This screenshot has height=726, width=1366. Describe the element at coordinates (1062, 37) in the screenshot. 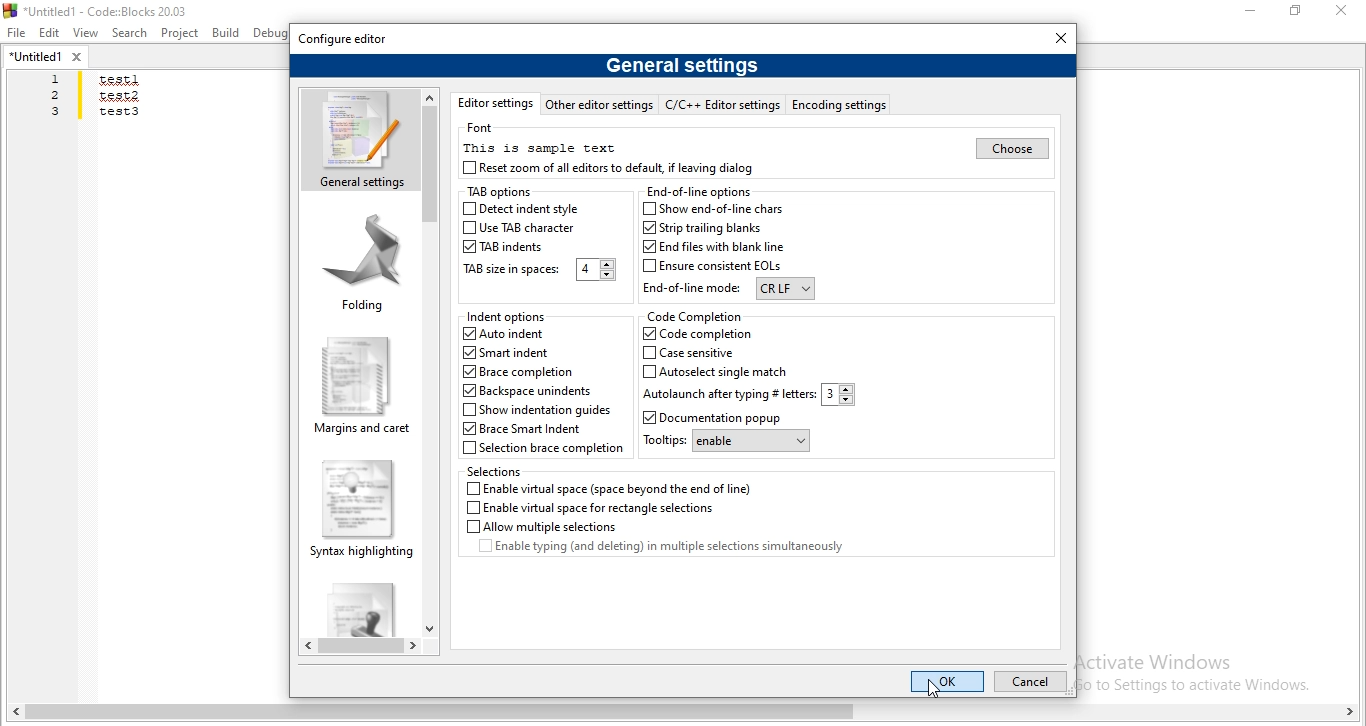

I see `close` at that location.